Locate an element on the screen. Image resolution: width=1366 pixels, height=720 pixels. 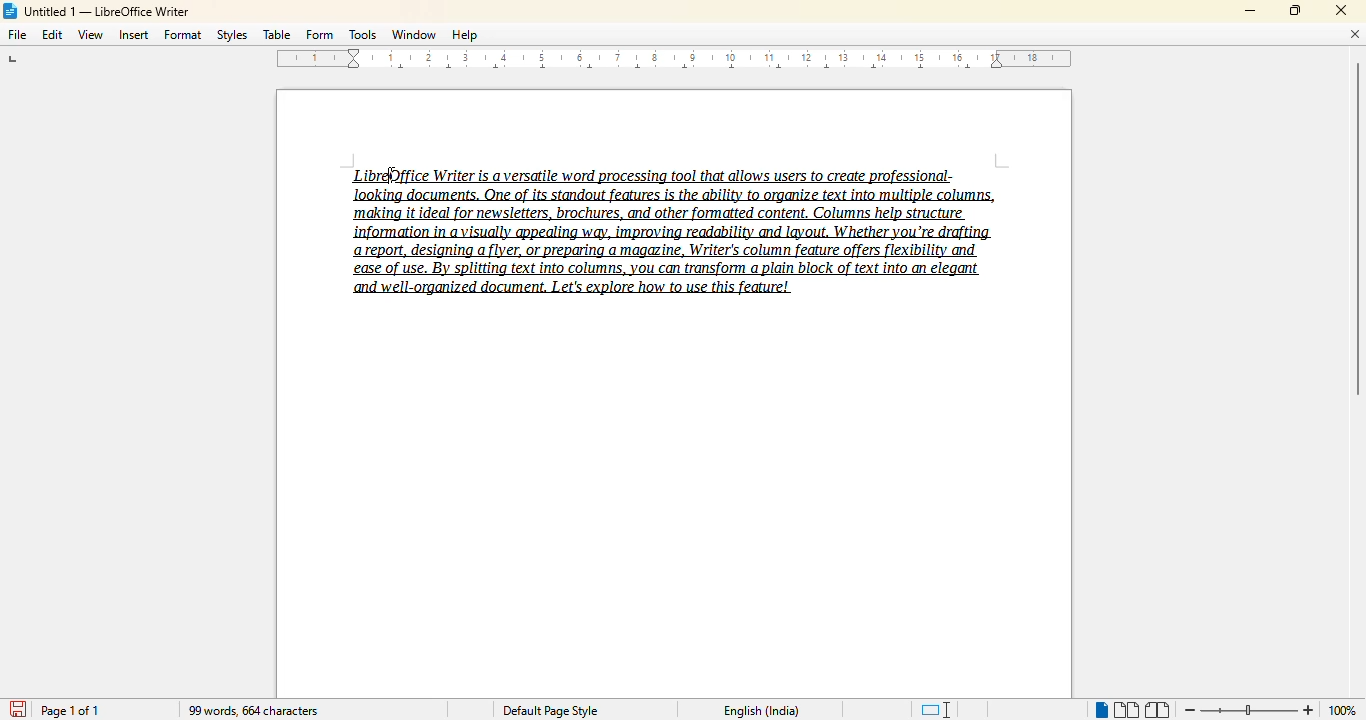
Change zoom level is located at coordinates (1250, 707).